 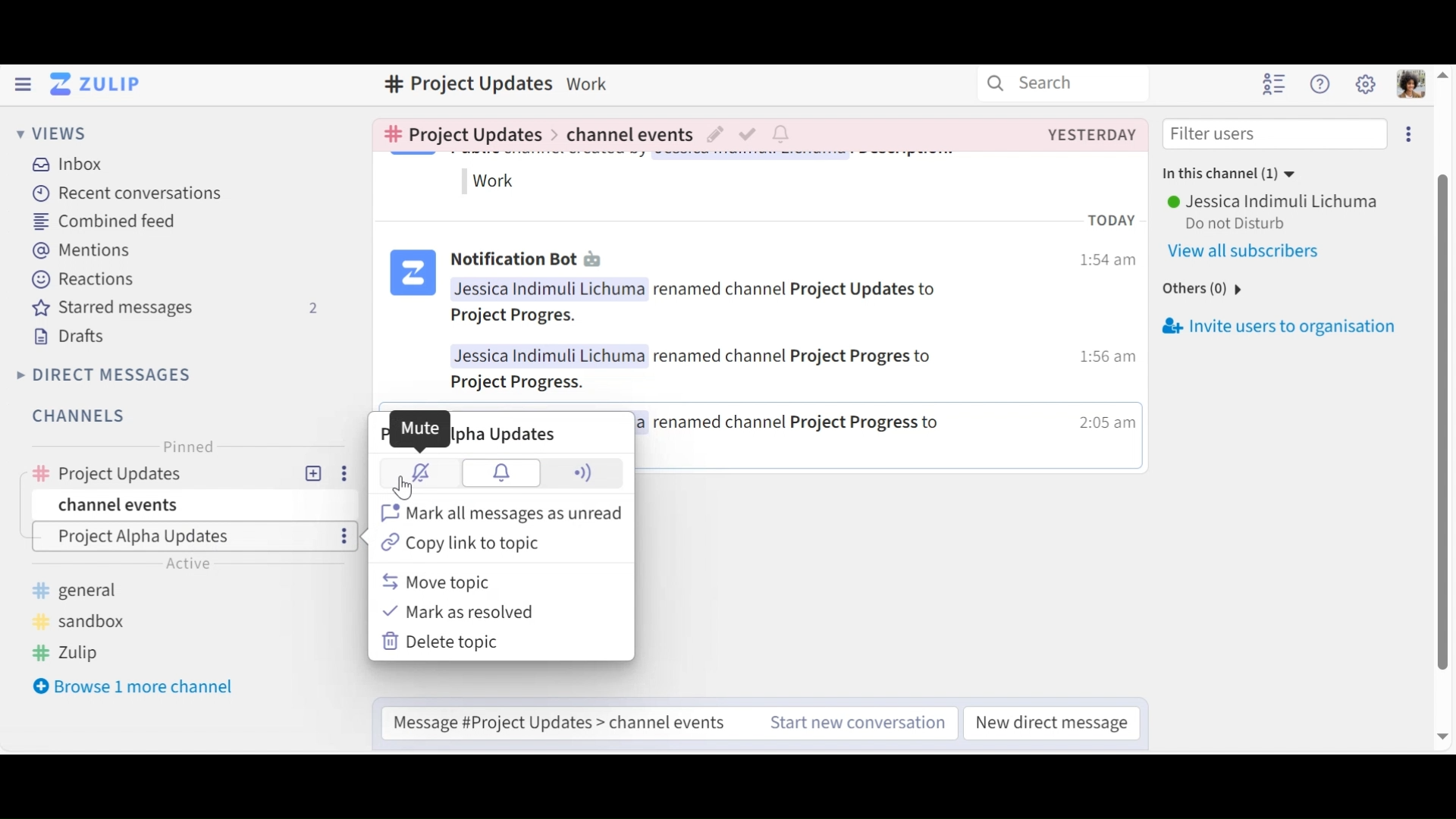 I want to click on Channel Topic, so click(x=185, y=536).